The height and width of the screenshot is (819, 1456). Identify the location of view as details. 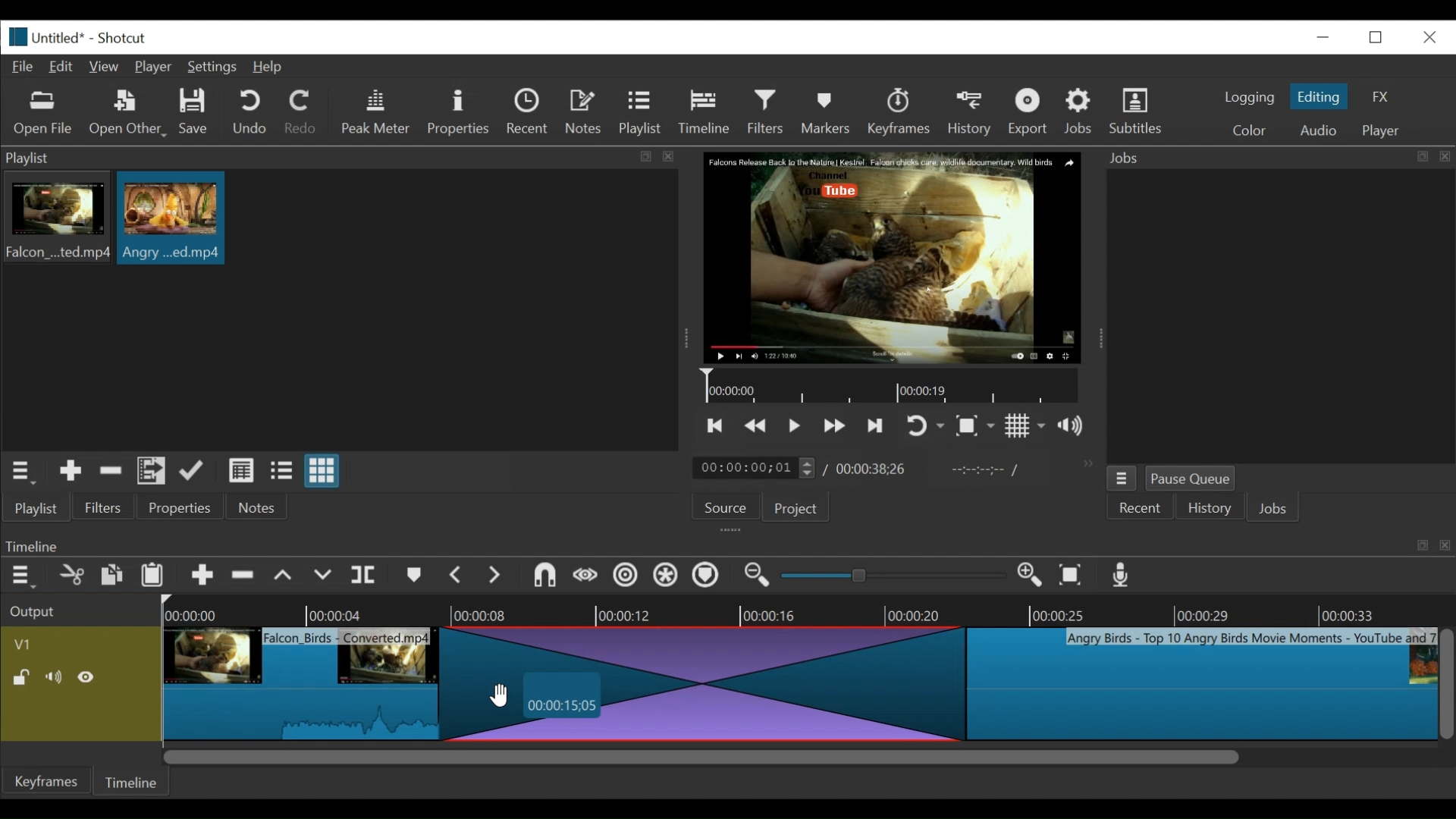
(242, 470).